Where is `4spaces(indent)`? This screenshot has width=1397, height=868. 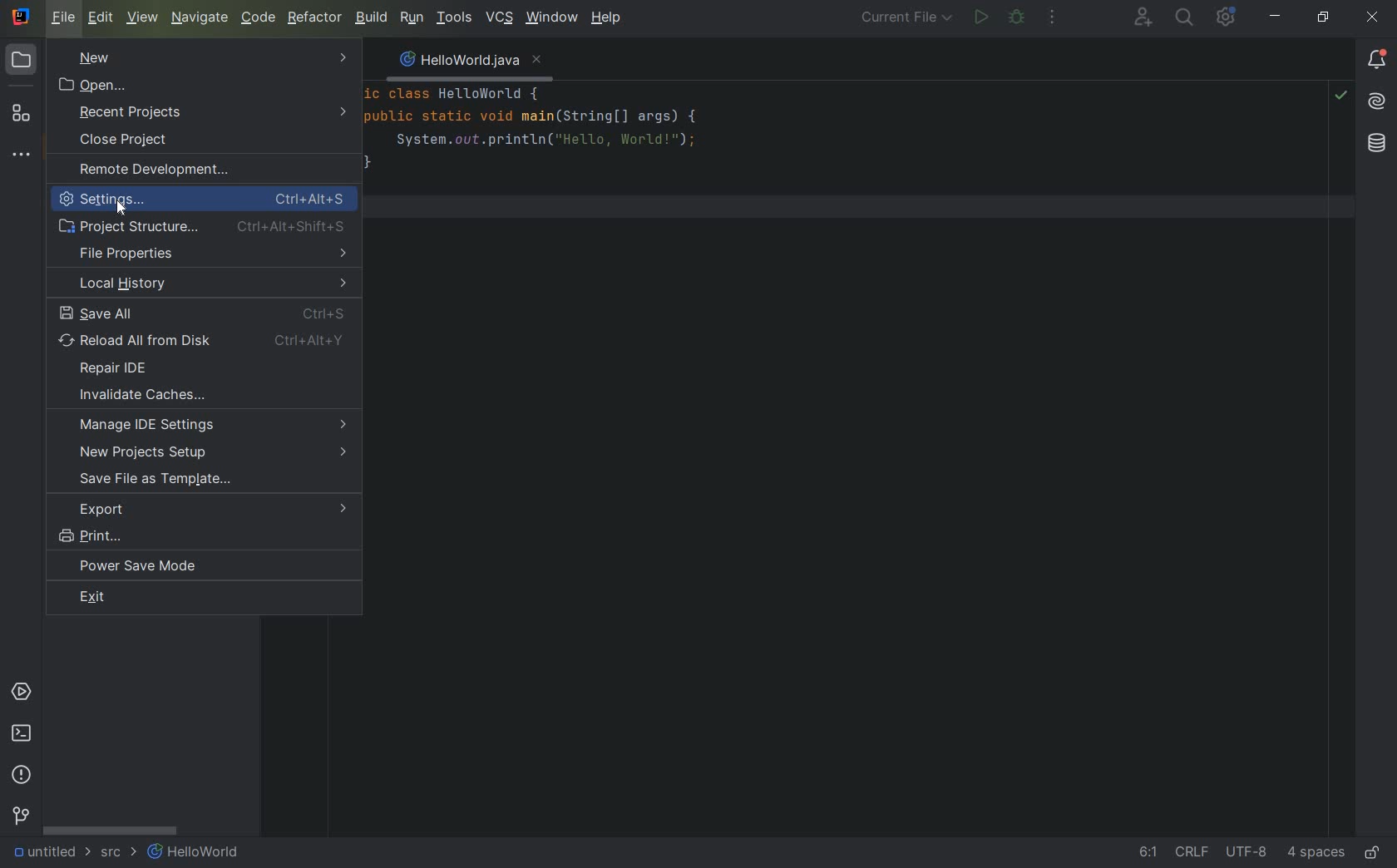
4spaces(indent) is located at coordinates (1318, 855).